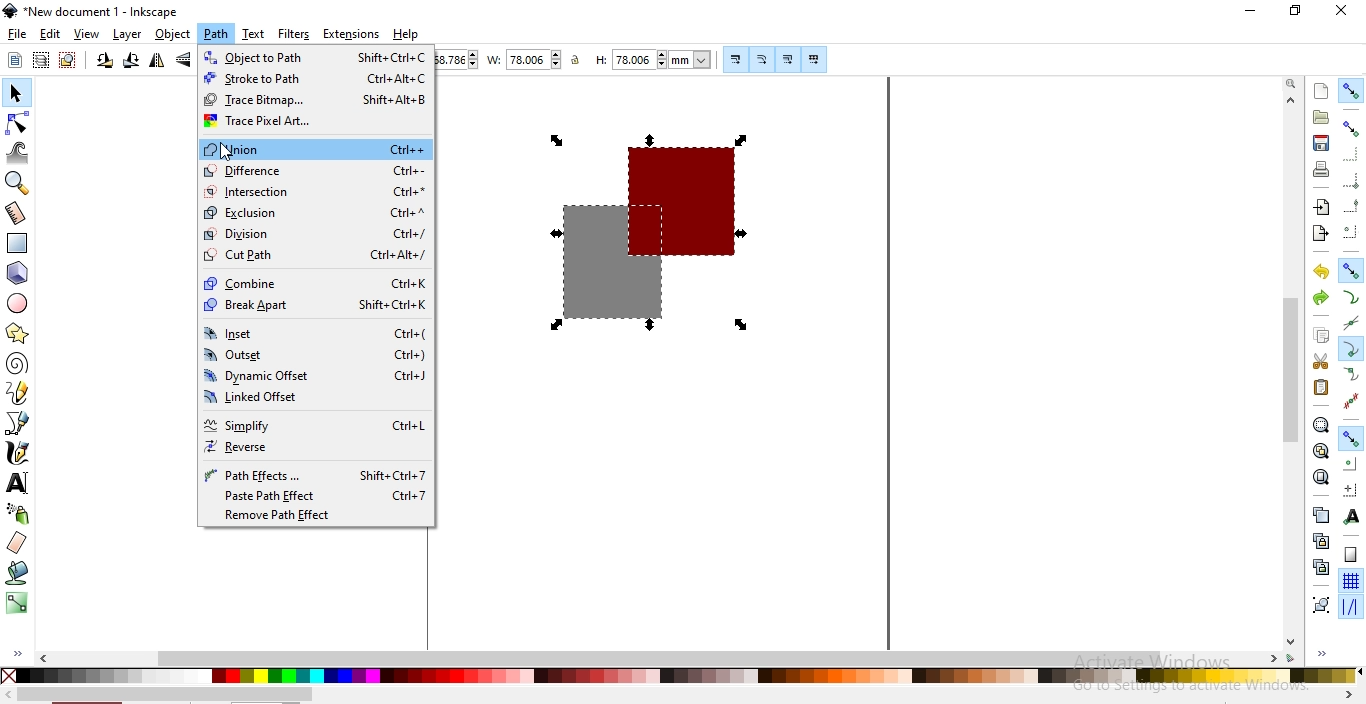  What do you see at coordinates (217, 34) in the screenshot?
I see `path` at bounding box center [217, 34].